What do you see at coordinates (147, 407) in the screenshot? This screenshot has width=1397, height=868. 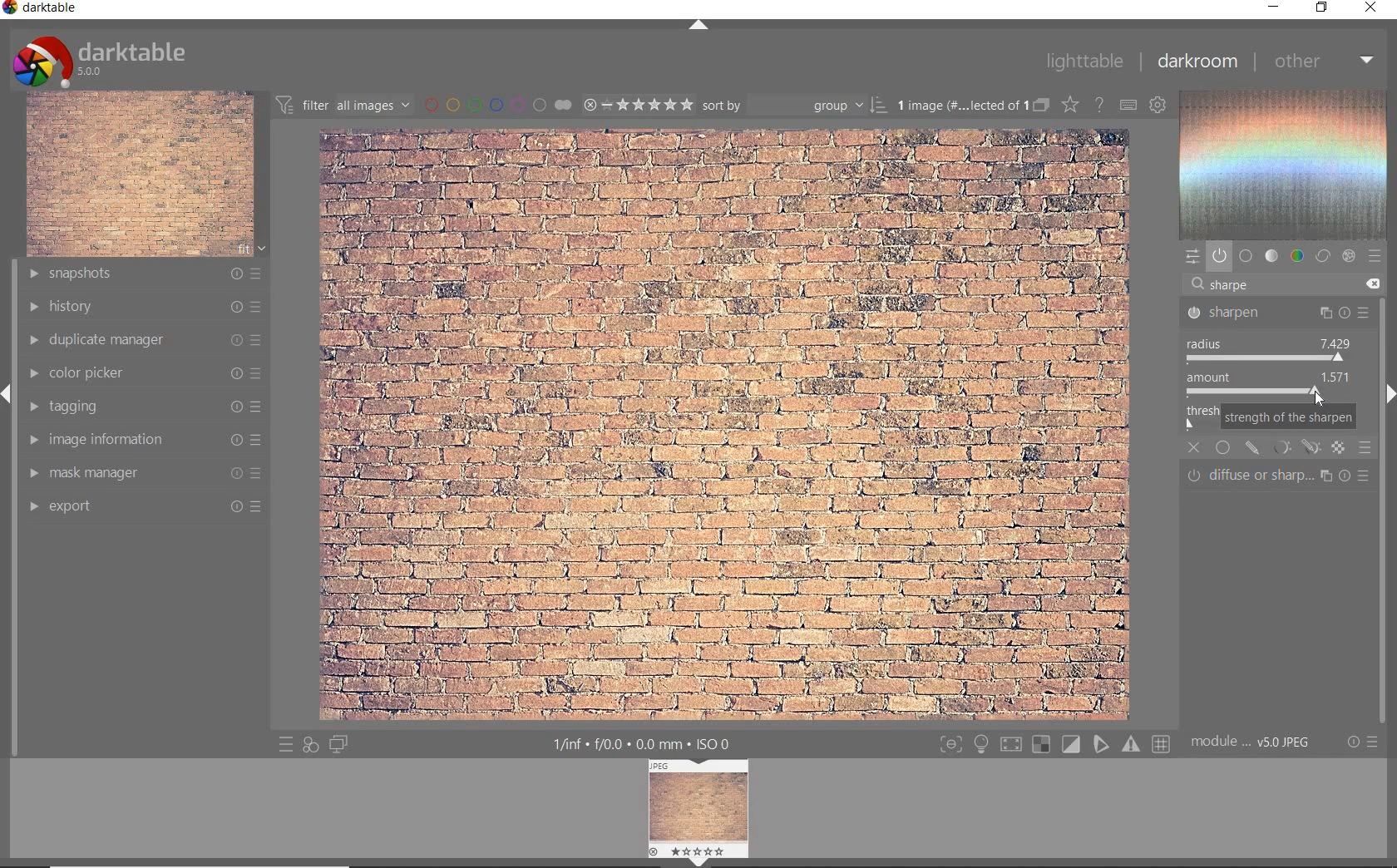 I see `tagging` at bounding box center [147, 407].